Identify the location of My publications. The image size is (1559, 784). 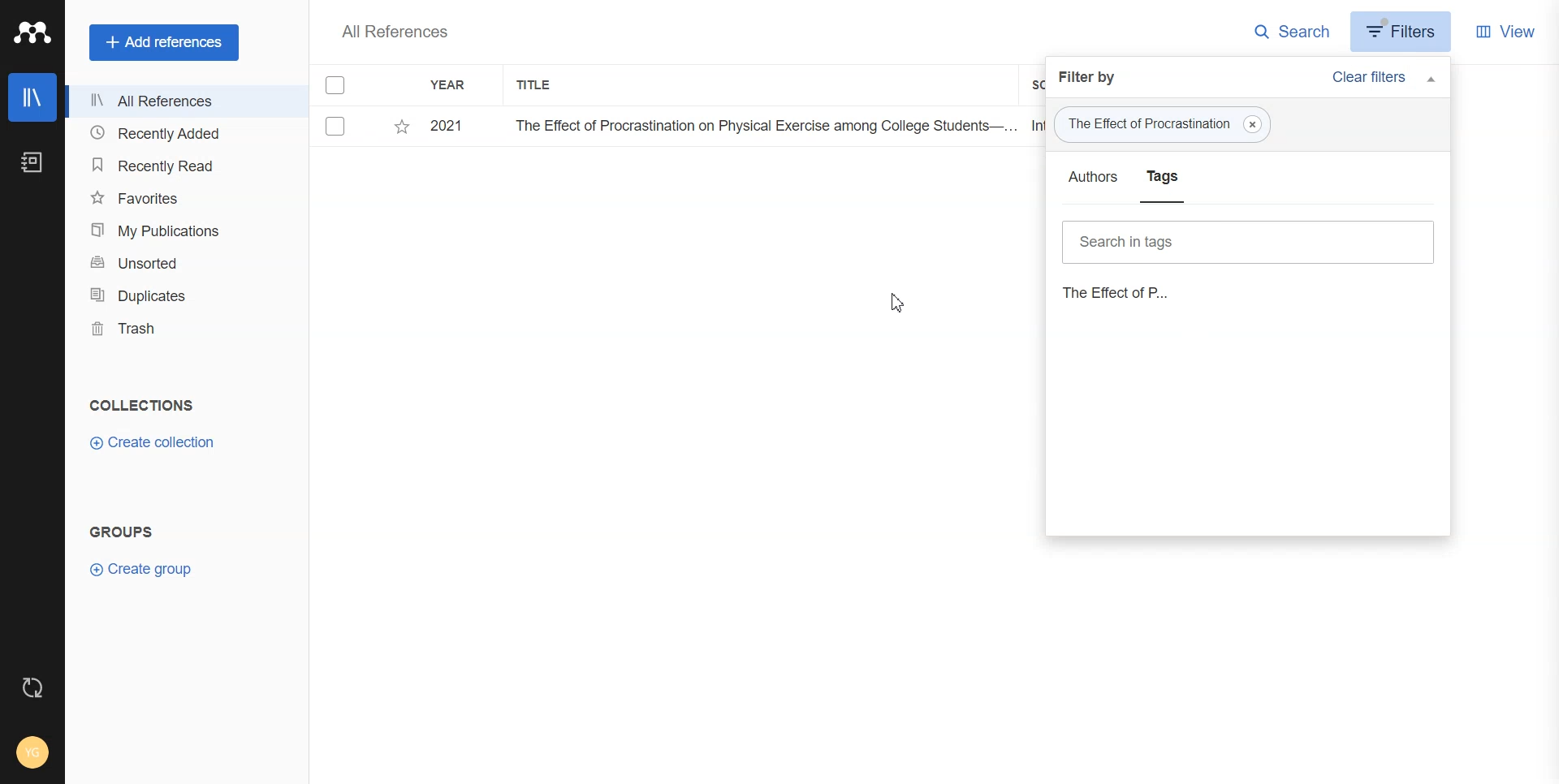
(177, 231).